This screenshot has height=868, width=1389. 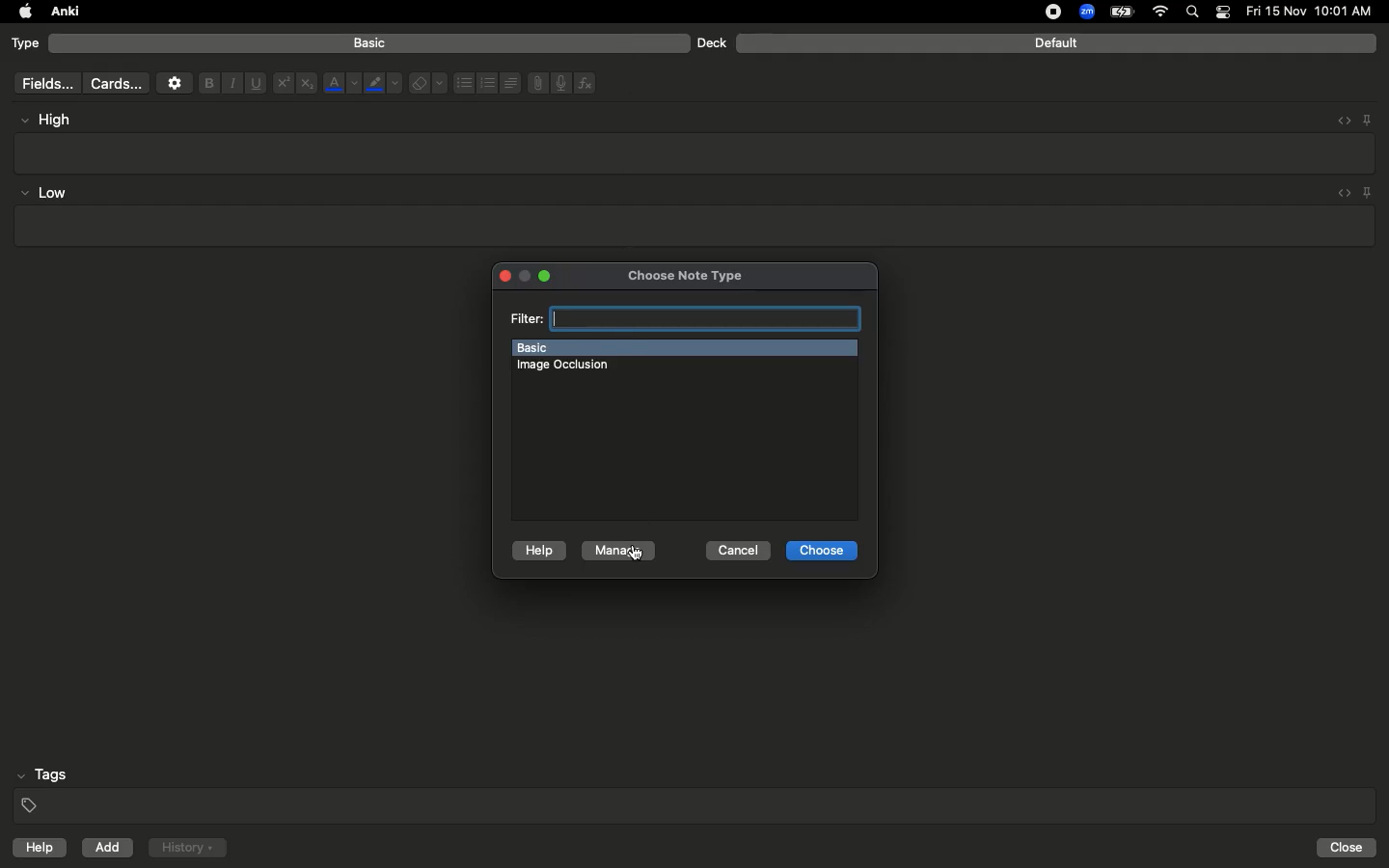 What do you see at coordinates (1056, 43) in the screenshot?
I see `Default` at bounding box center [1056, 43].